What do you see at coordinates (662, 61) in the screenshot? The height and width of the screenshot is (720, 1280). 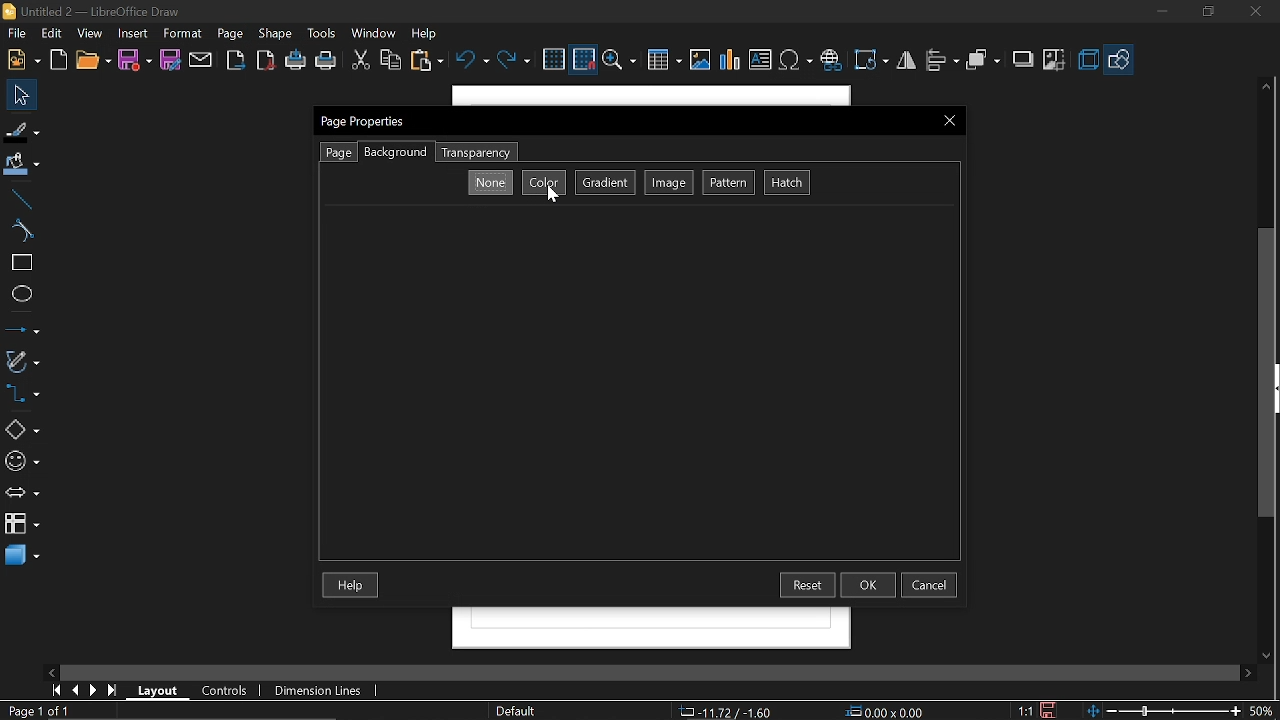 I see `Insert table` at bounding box center [662, 61].